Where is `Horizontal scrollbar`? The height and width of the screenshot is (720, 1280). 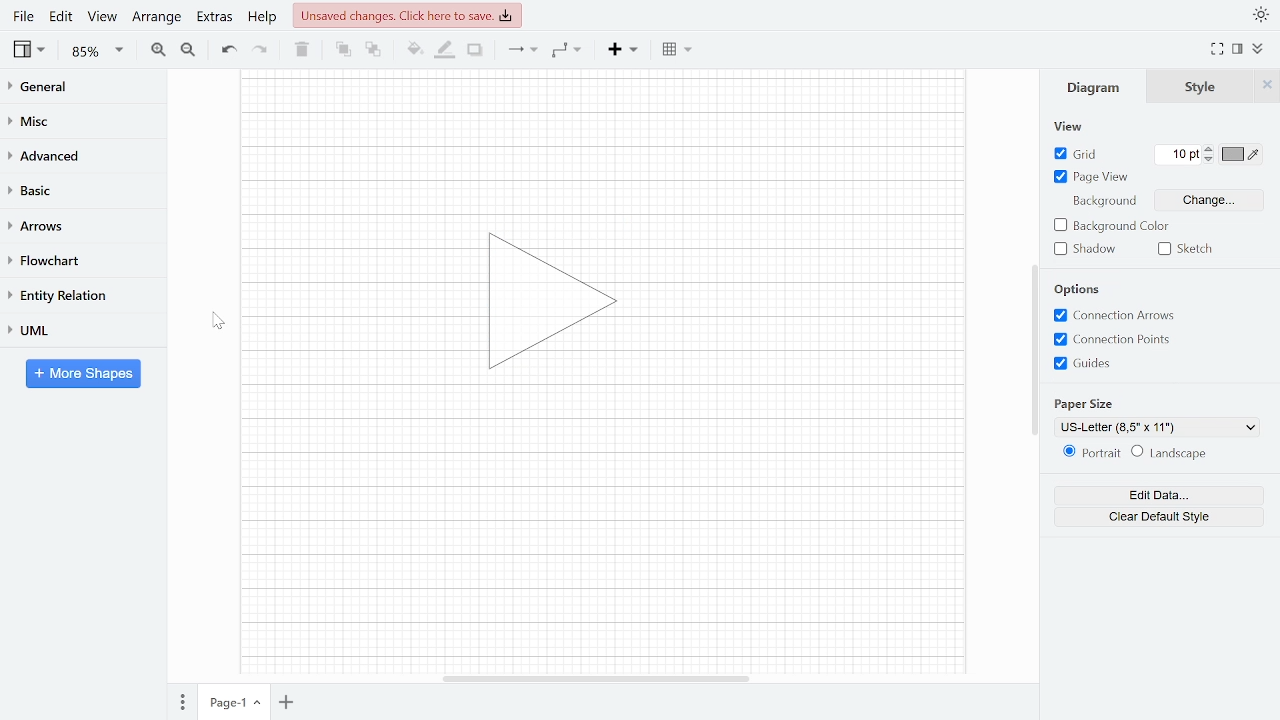
Horizontal scrollbar is located at coordinates (598, 678).